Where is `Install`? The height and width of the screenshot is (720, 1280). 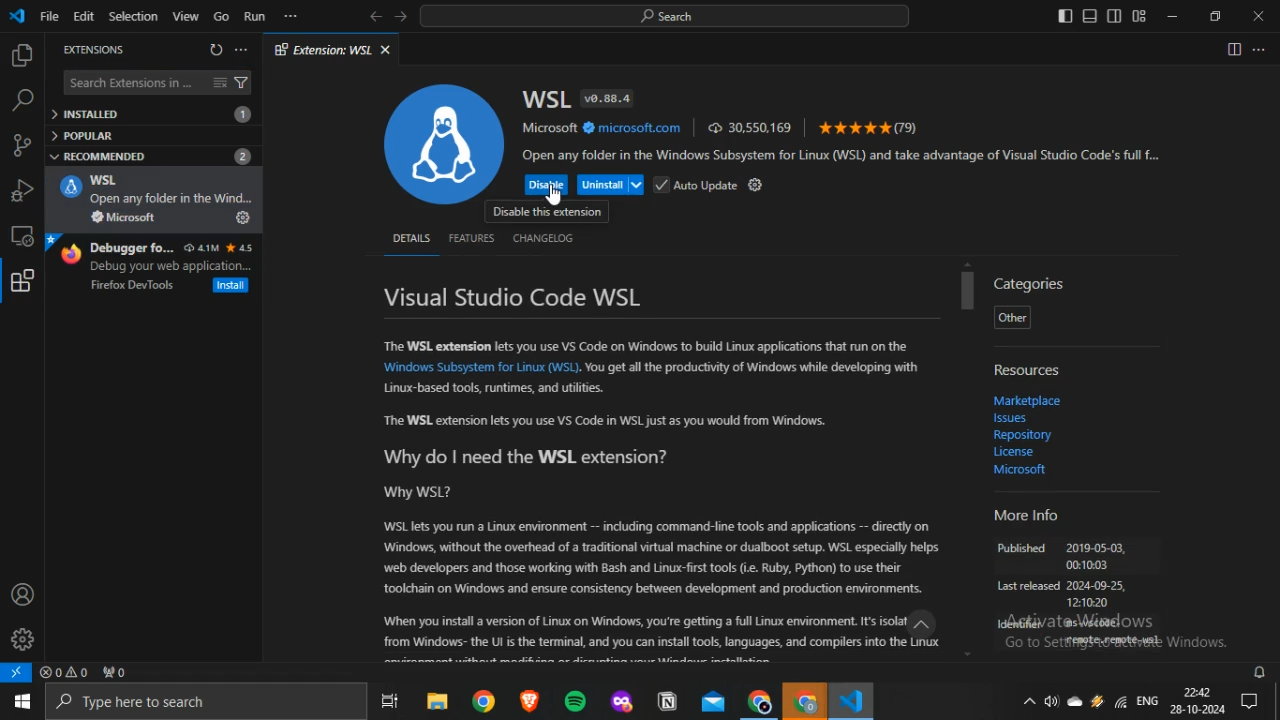
Install is located at coordinates (242, 217).